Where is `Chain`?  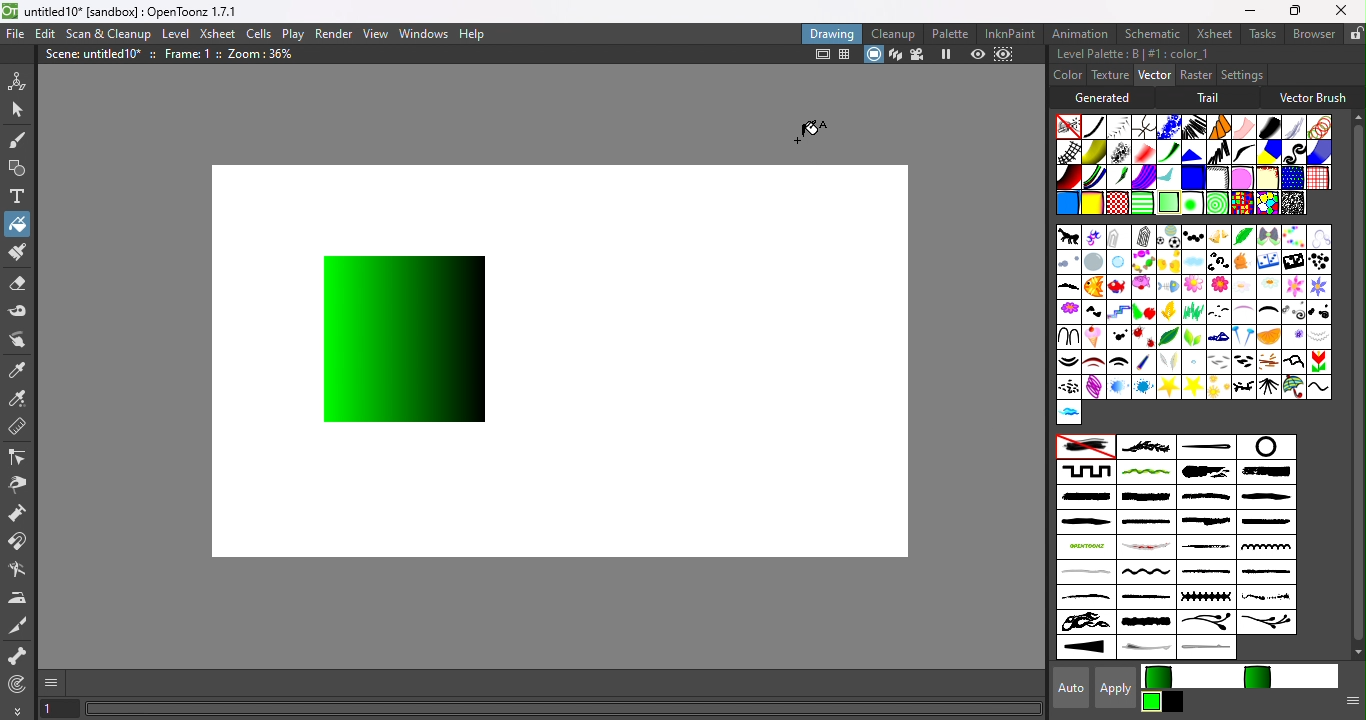 Chain is located at coordinates (1145, 126).